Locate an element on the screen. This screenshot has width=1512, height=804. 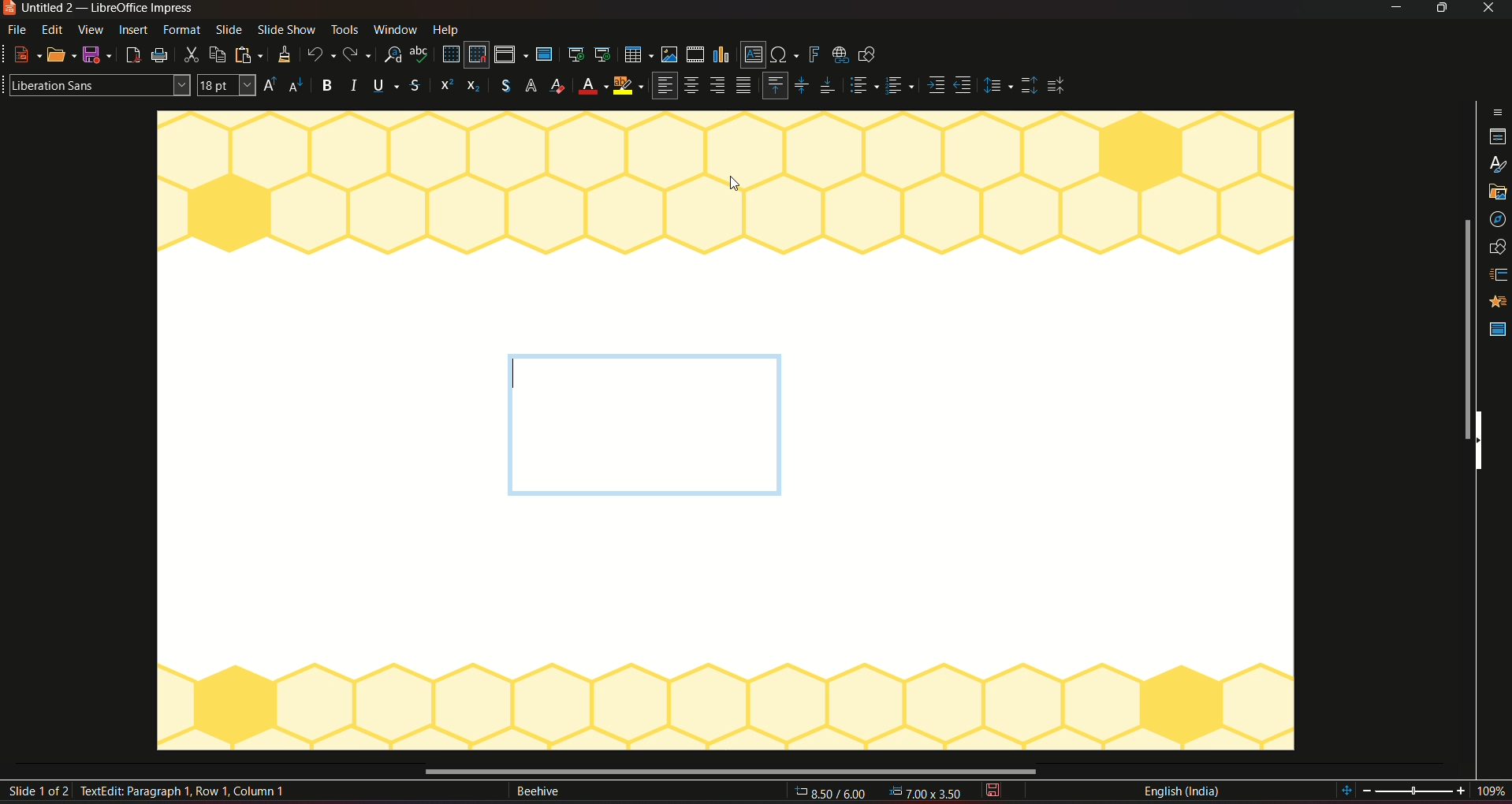
insert audio/video is located at coordinates (695, 55).